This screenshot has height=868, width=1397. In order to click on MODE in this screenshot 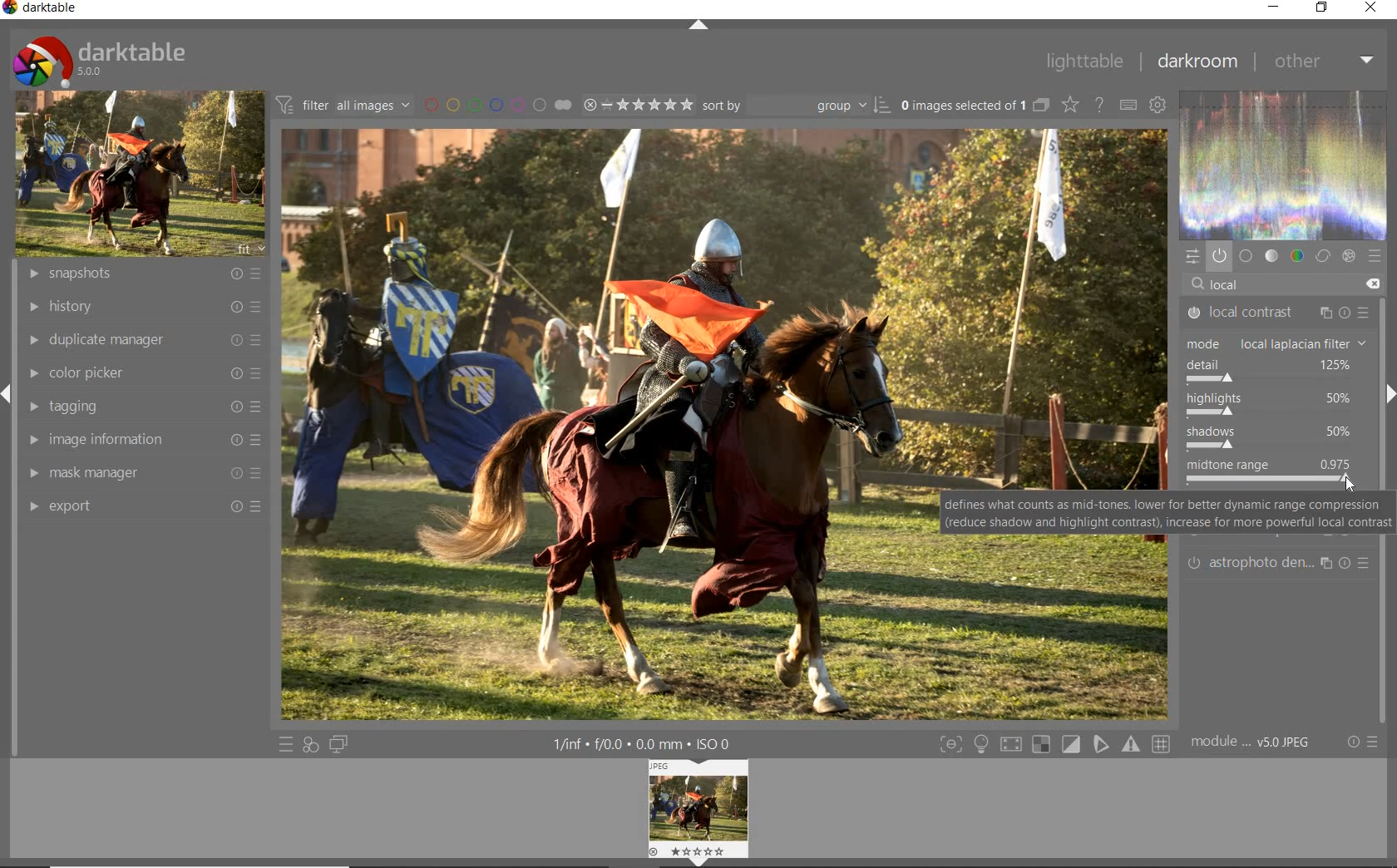, I will do `click(1281, 343)`.